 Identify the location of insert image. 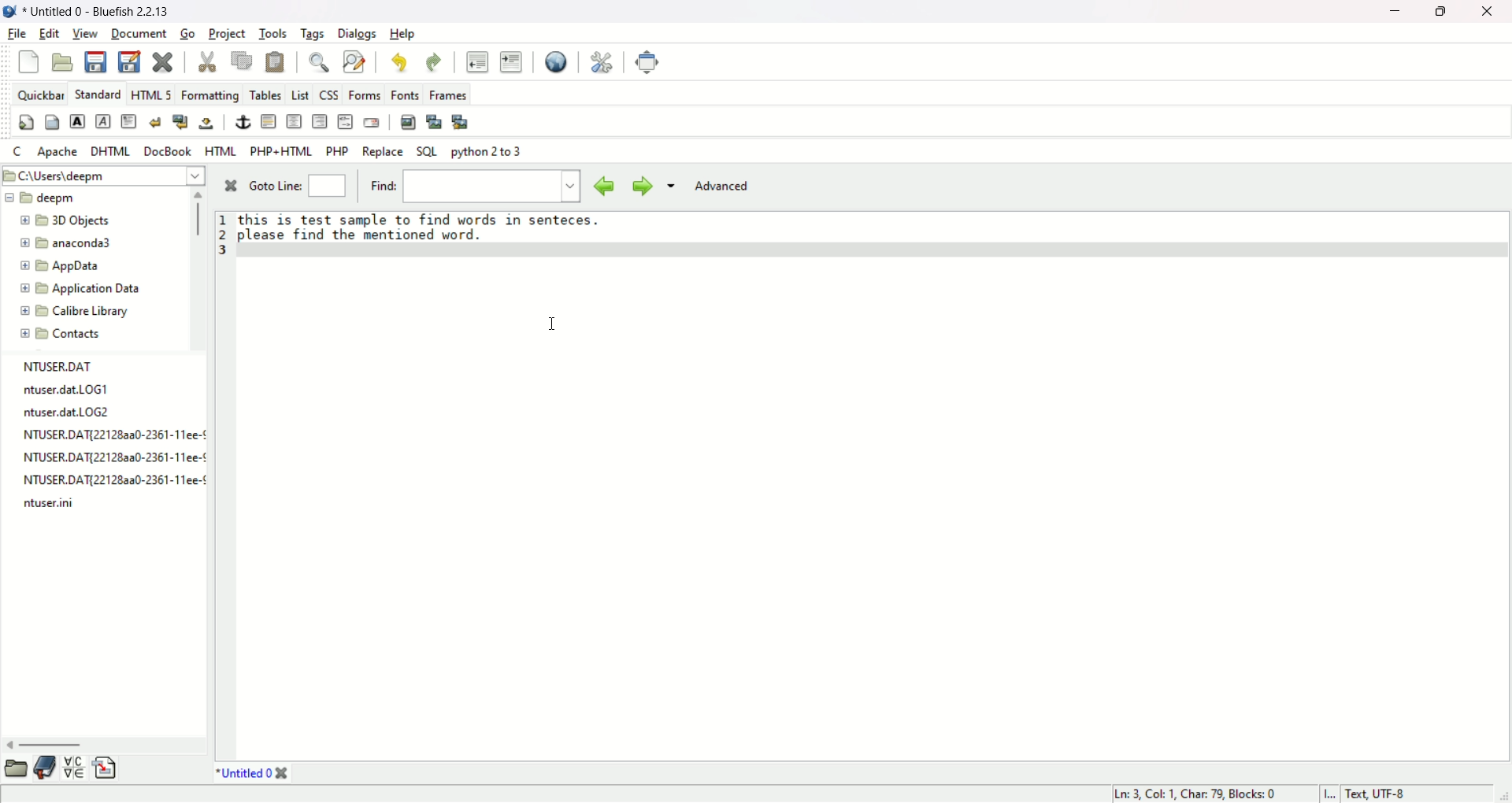
(408, 121).